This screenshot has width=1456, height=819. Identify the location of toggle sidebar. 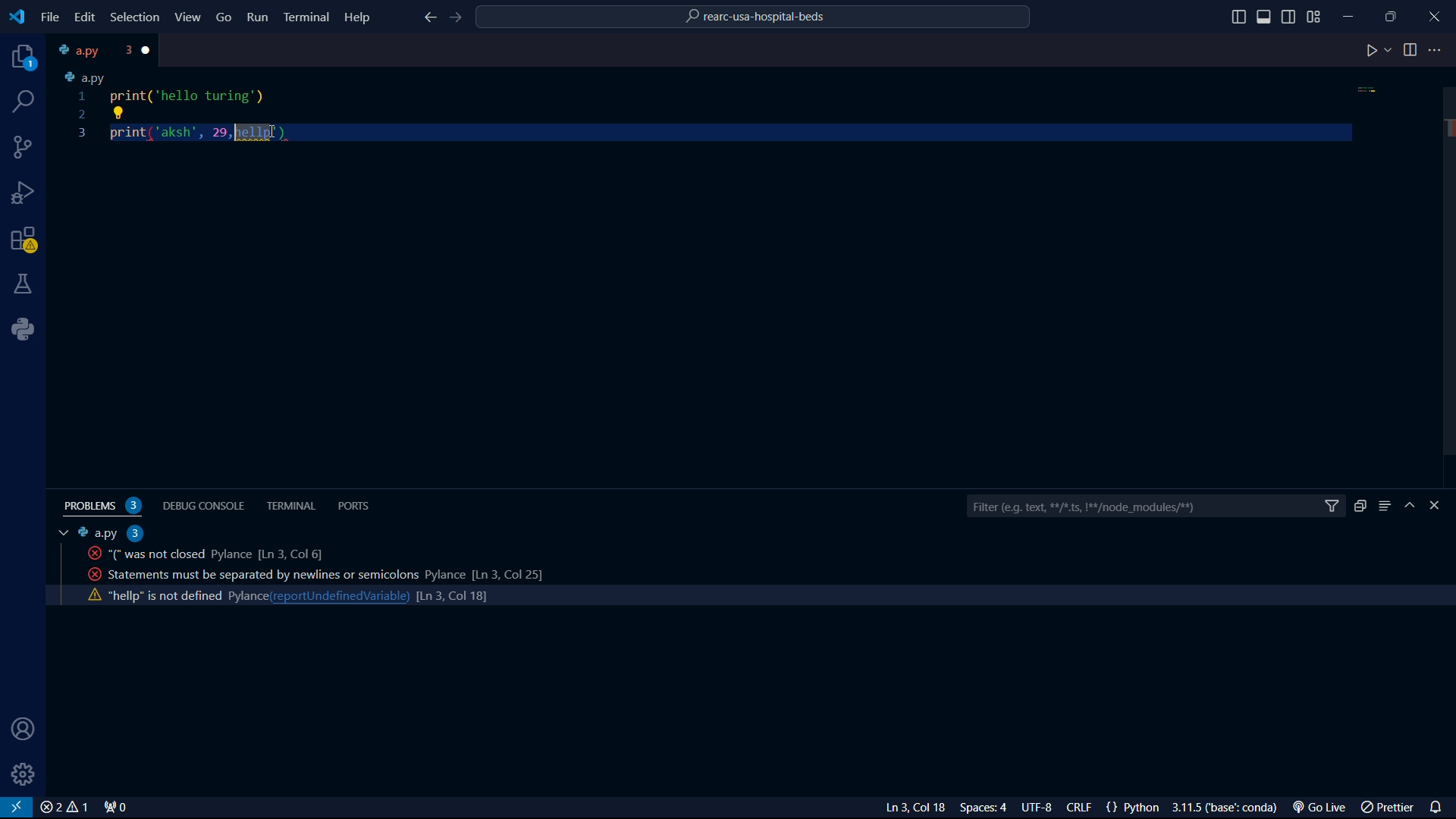
(1238, 17).